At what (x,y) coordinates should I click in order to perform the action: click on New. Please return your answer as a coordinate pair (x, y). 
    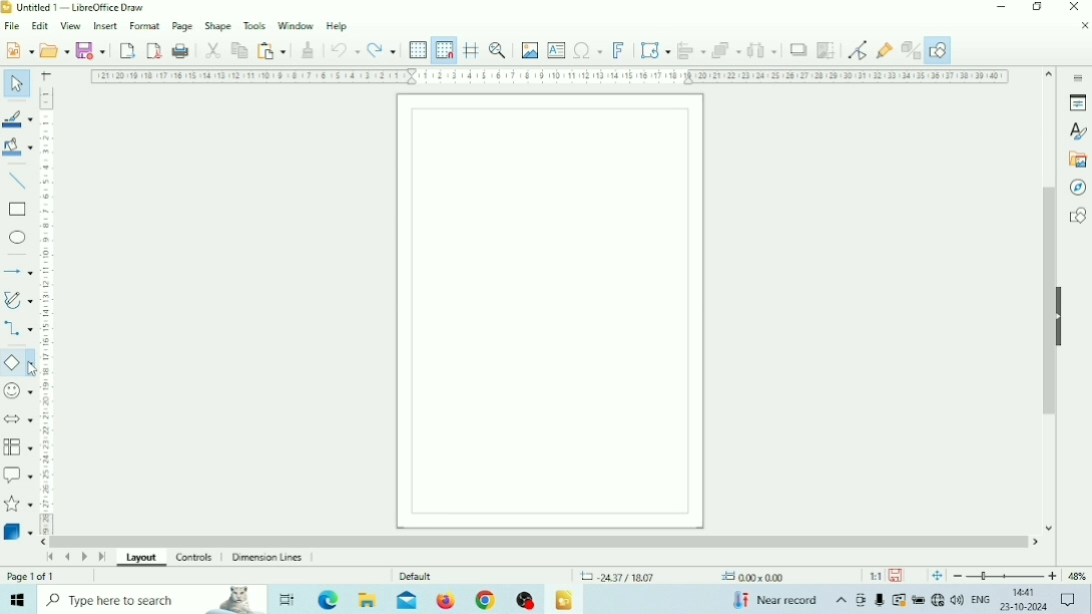
    Looking at the image, I should click on (18, 49).